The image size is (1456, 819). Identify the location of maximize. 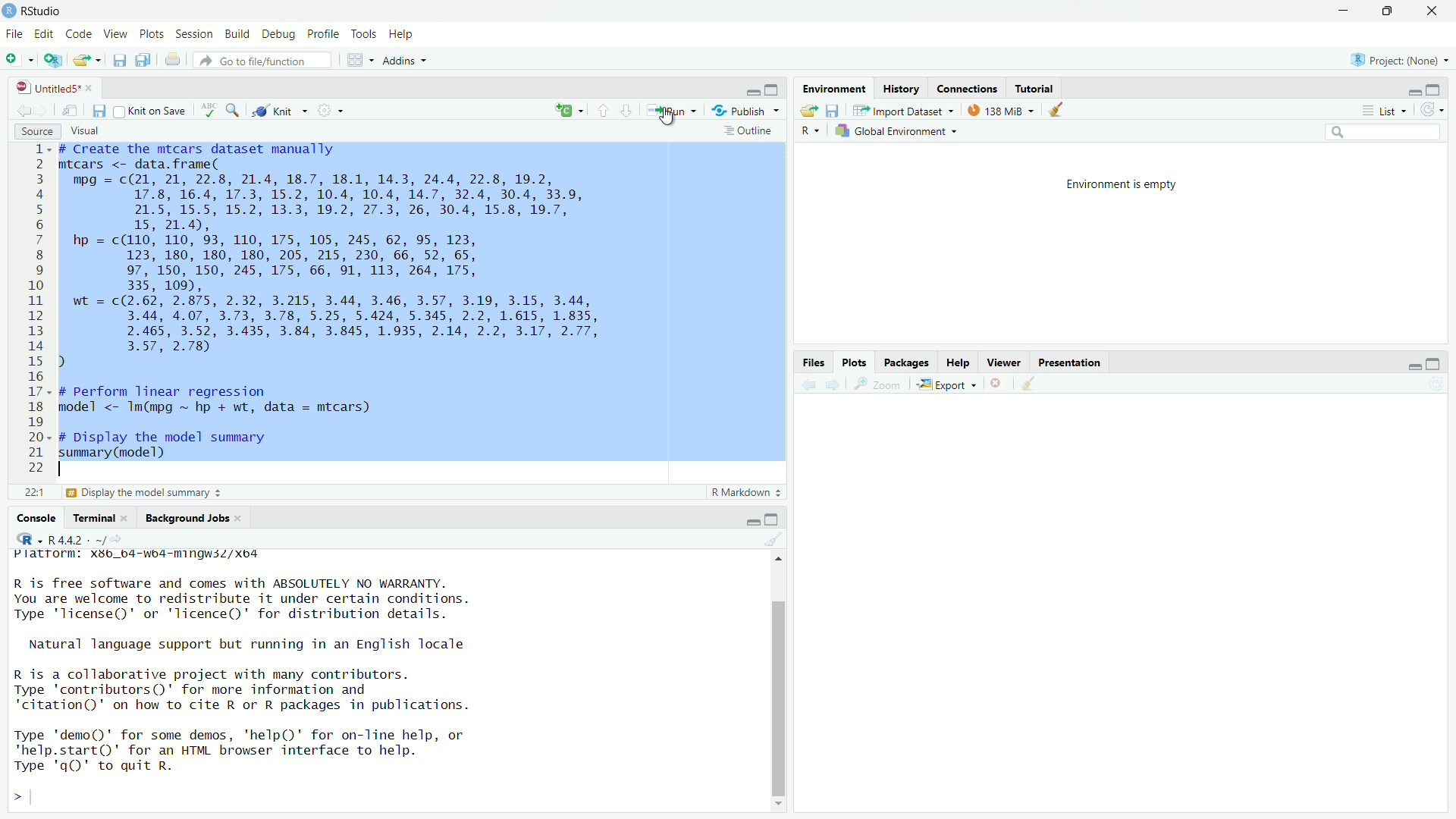
(774, 517).